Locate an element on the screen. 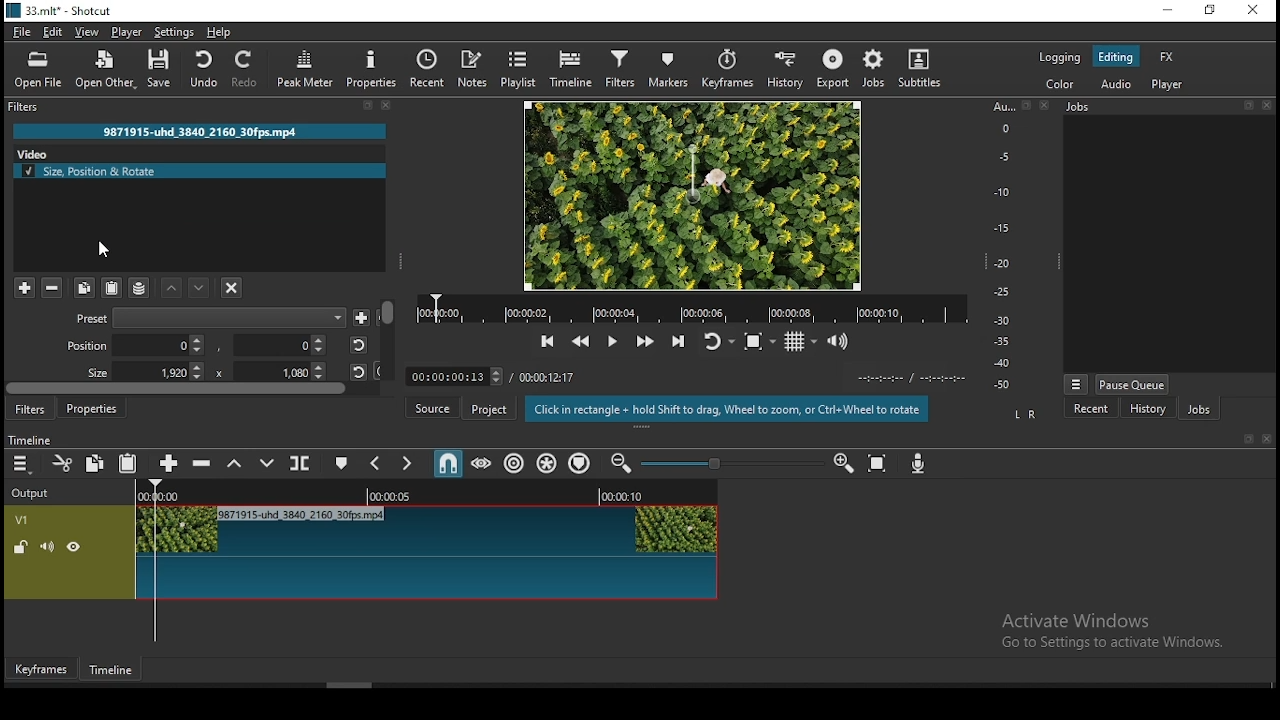  filters is located at coordinates (621, 69).